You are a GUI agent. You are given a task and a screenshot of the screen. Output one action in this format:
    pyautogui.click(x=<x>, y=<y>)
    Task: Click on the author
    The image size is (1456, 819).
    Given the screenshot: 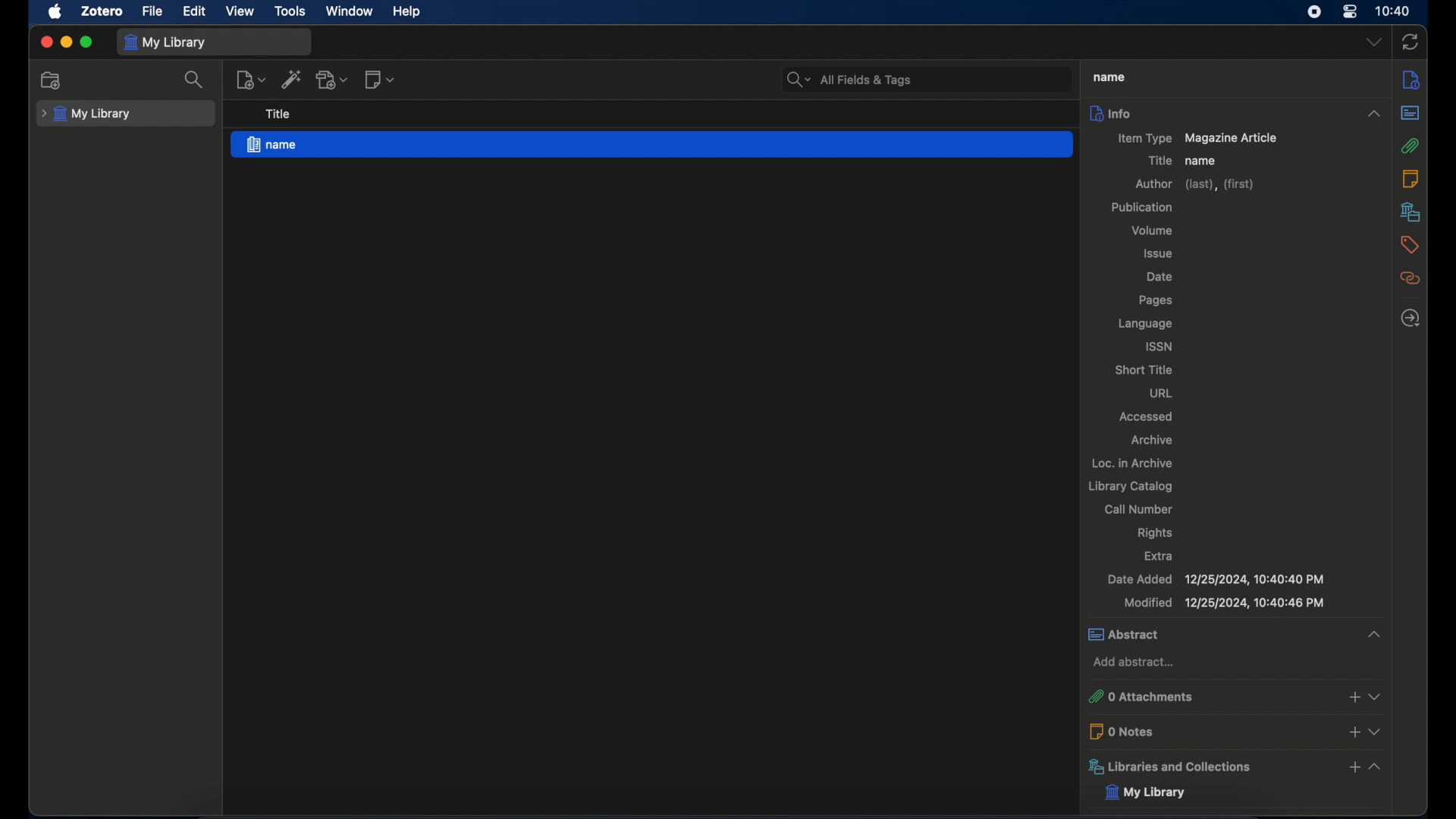 What is the action you would take?
    pyautogui.click(x=1196, y=184)
    